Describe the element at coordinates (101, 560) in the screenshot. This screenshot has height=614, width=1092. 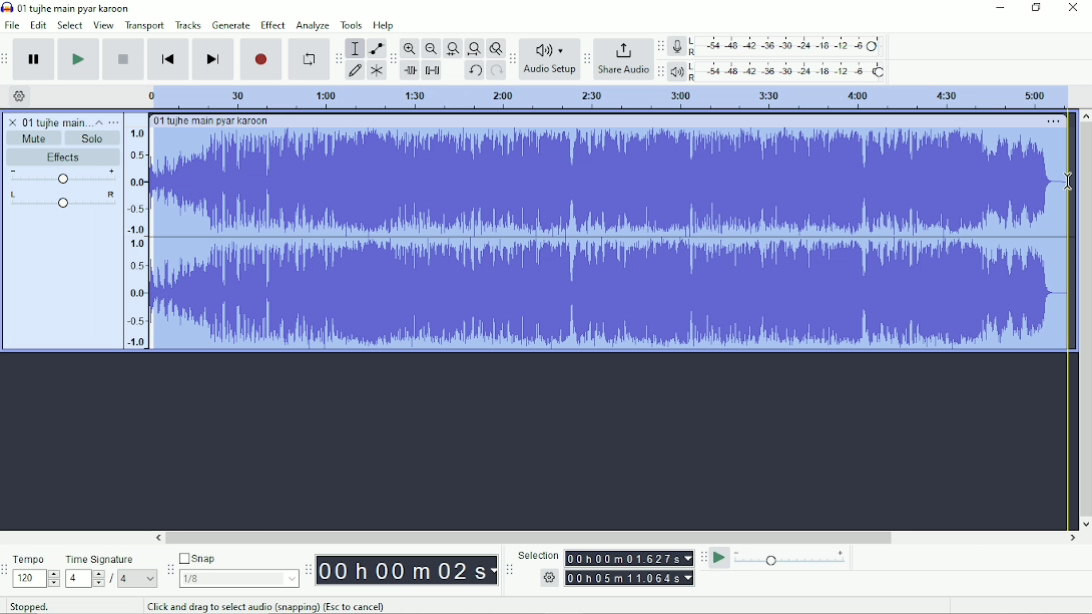
I see `Time Signature` at that location.